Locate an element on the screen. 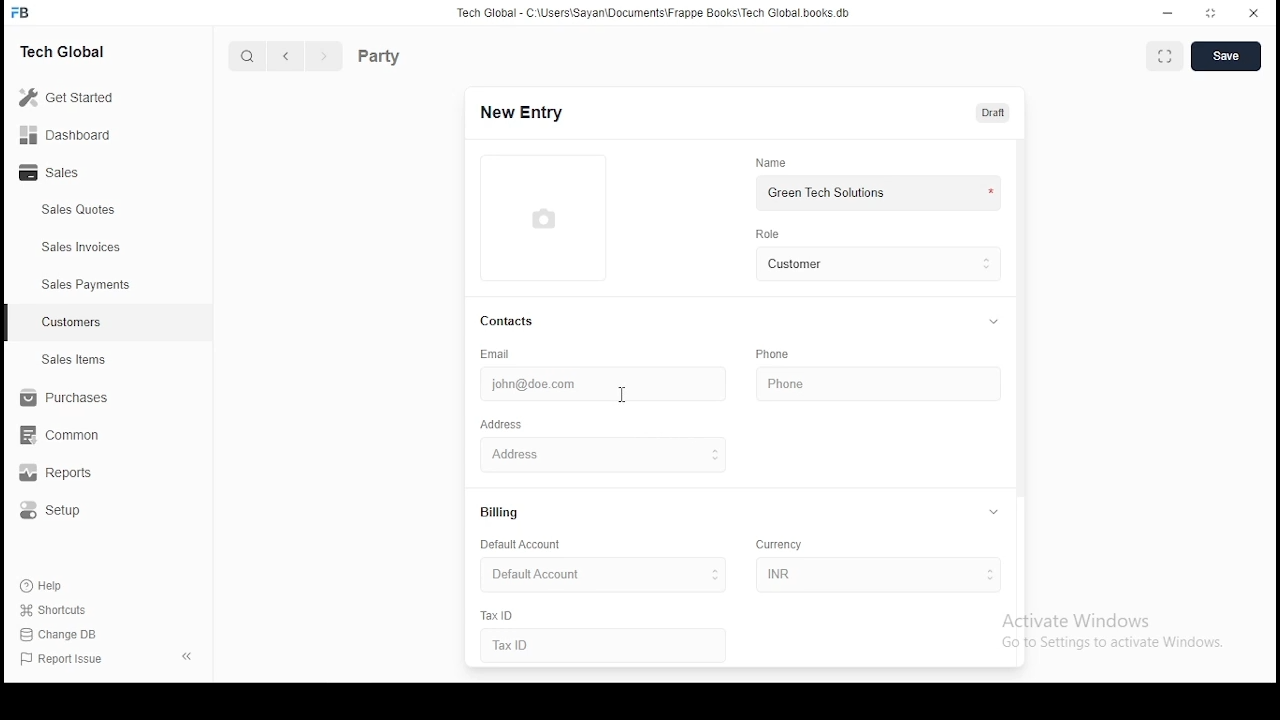 The height and width of the screenshot is (720, 1280). customers is located at coordinates (72, 323).